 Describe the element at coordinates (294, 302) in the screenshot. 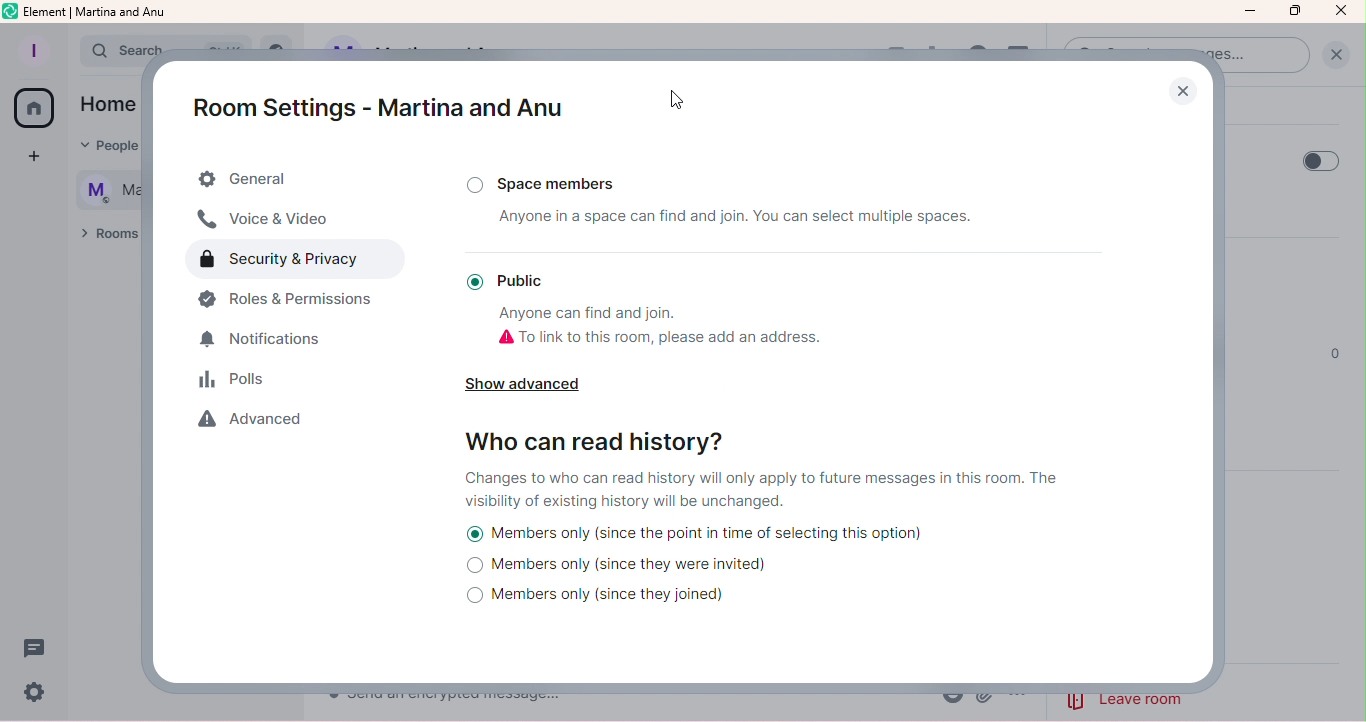

I see `Roles and permissions` at that location.